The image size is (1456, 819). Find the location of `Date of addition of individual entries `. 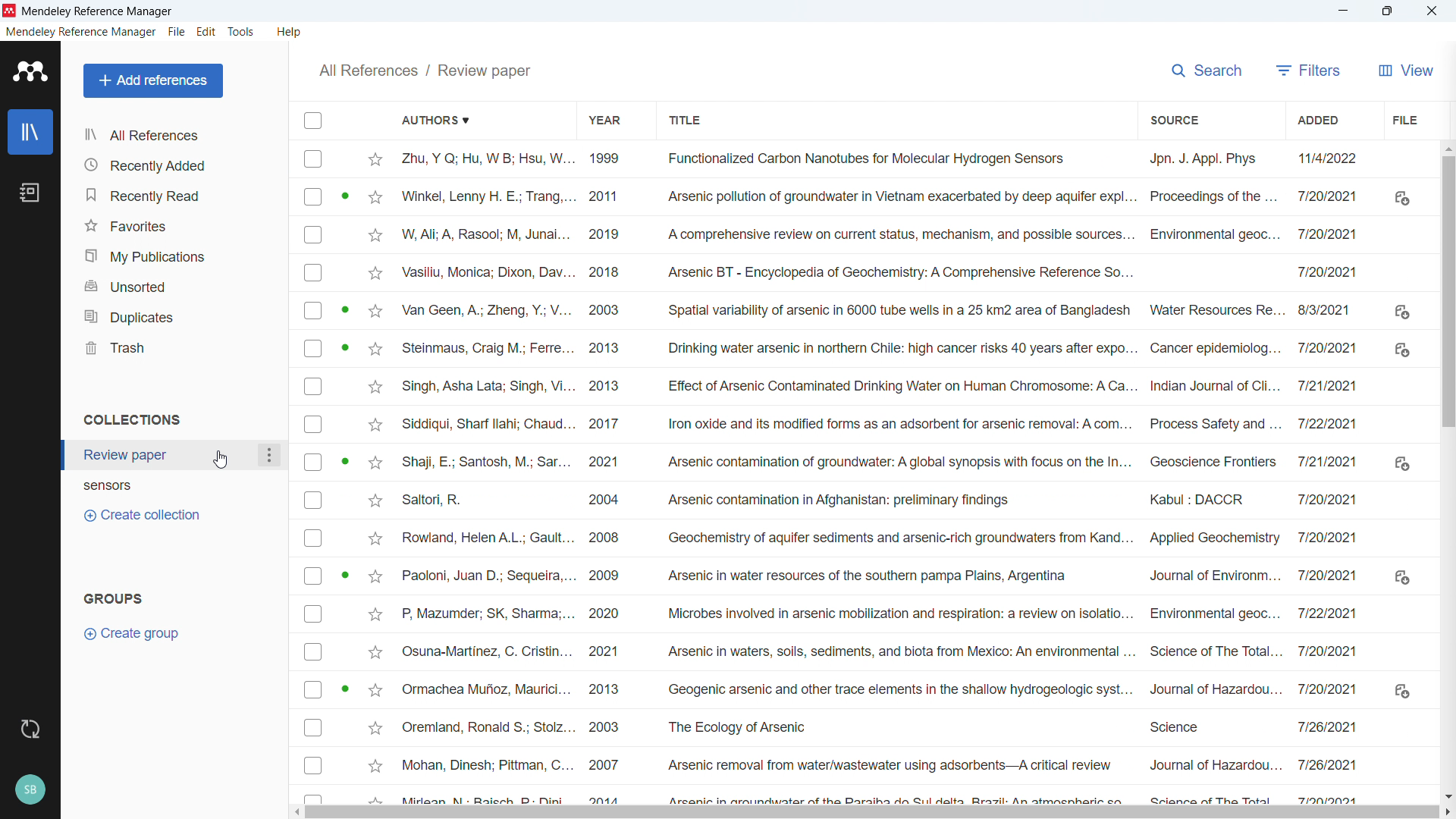

Date of addition of individual entries  is located at coordinates (1331, 474).